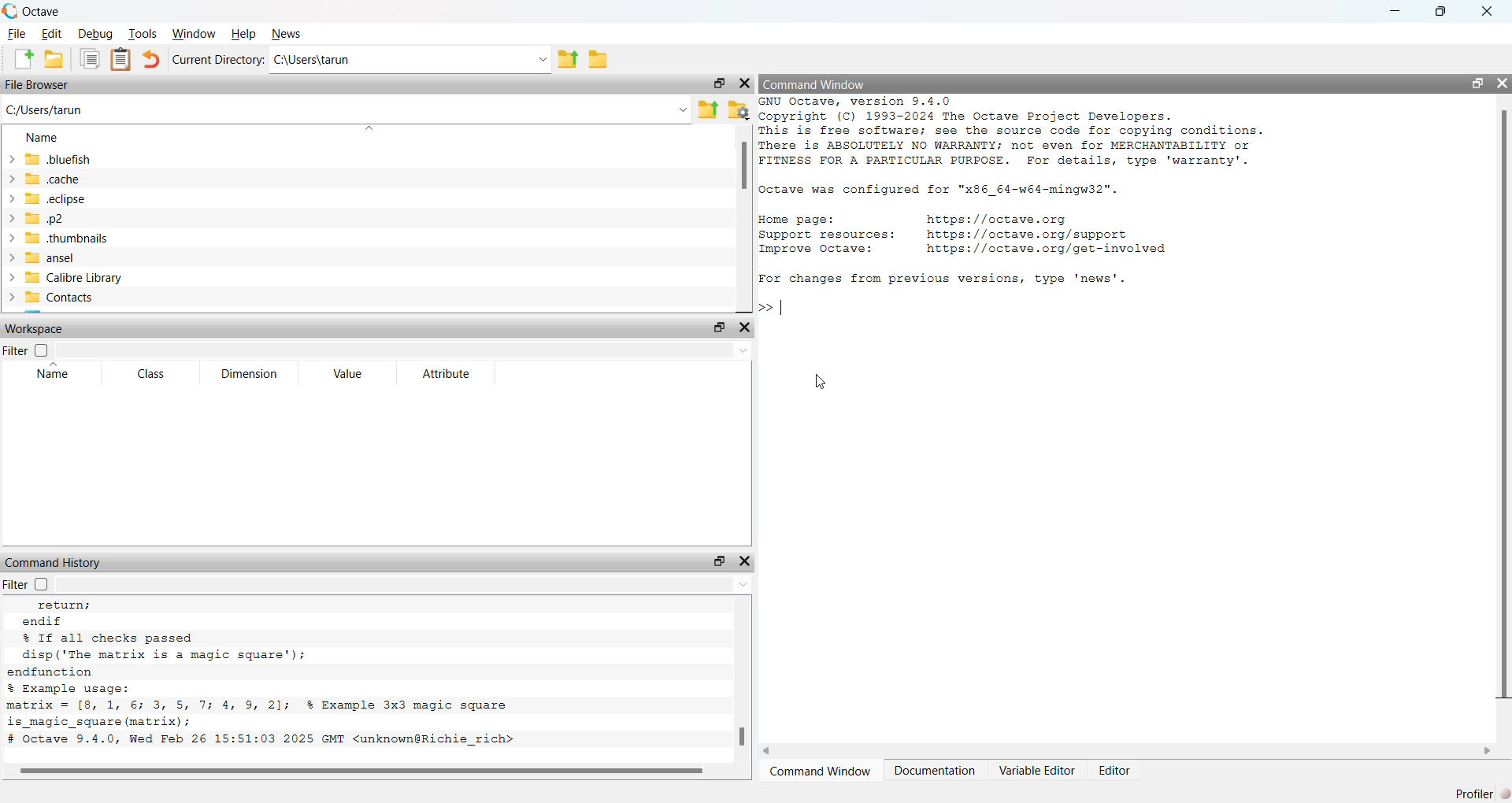  Describe the element at coordinates (768, 751) in the screenshot. I see `scroll left` at that location.